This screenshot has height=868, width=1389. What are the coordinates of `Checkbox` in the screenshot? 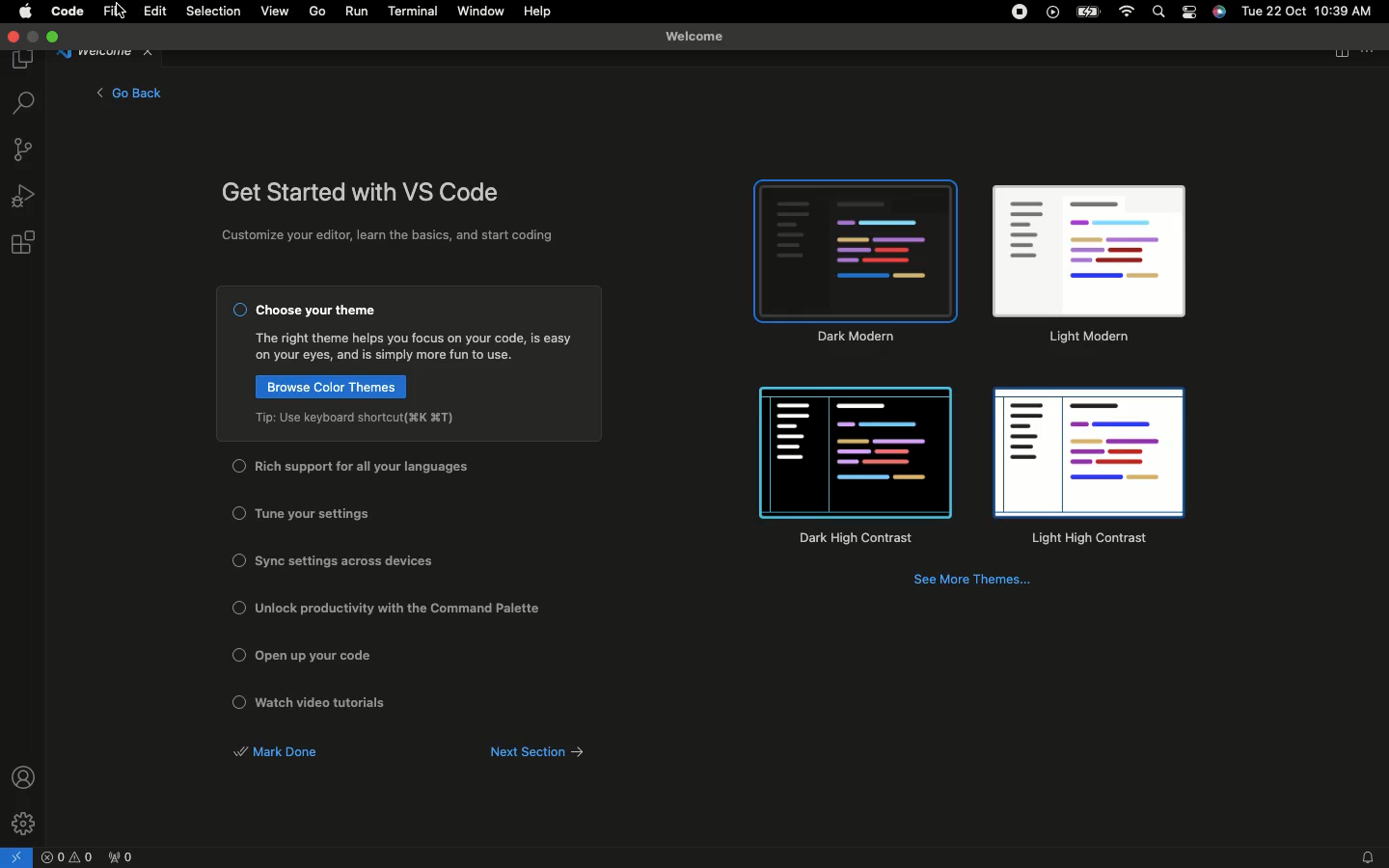 It's located at (239, 607).